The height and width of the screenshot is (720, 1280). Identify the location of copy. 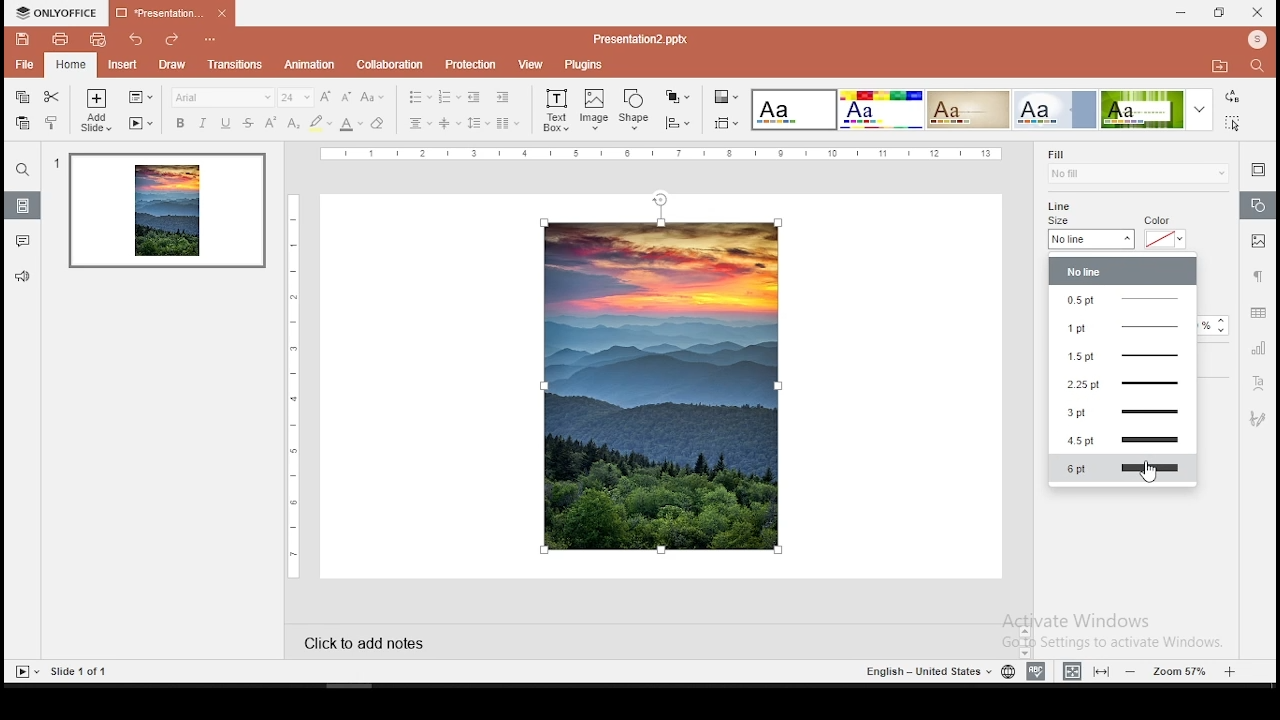
(20, 98).